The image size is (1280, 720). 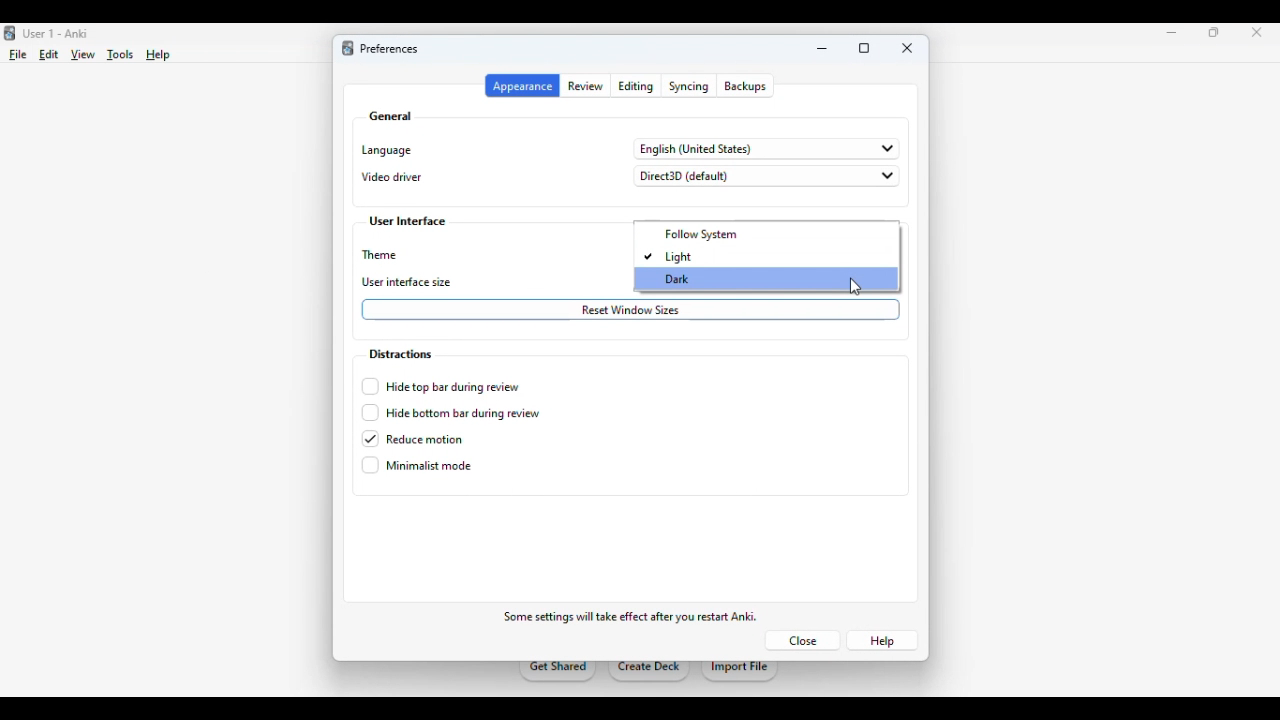 I want to click on appearance, so click(x=522, y=86).